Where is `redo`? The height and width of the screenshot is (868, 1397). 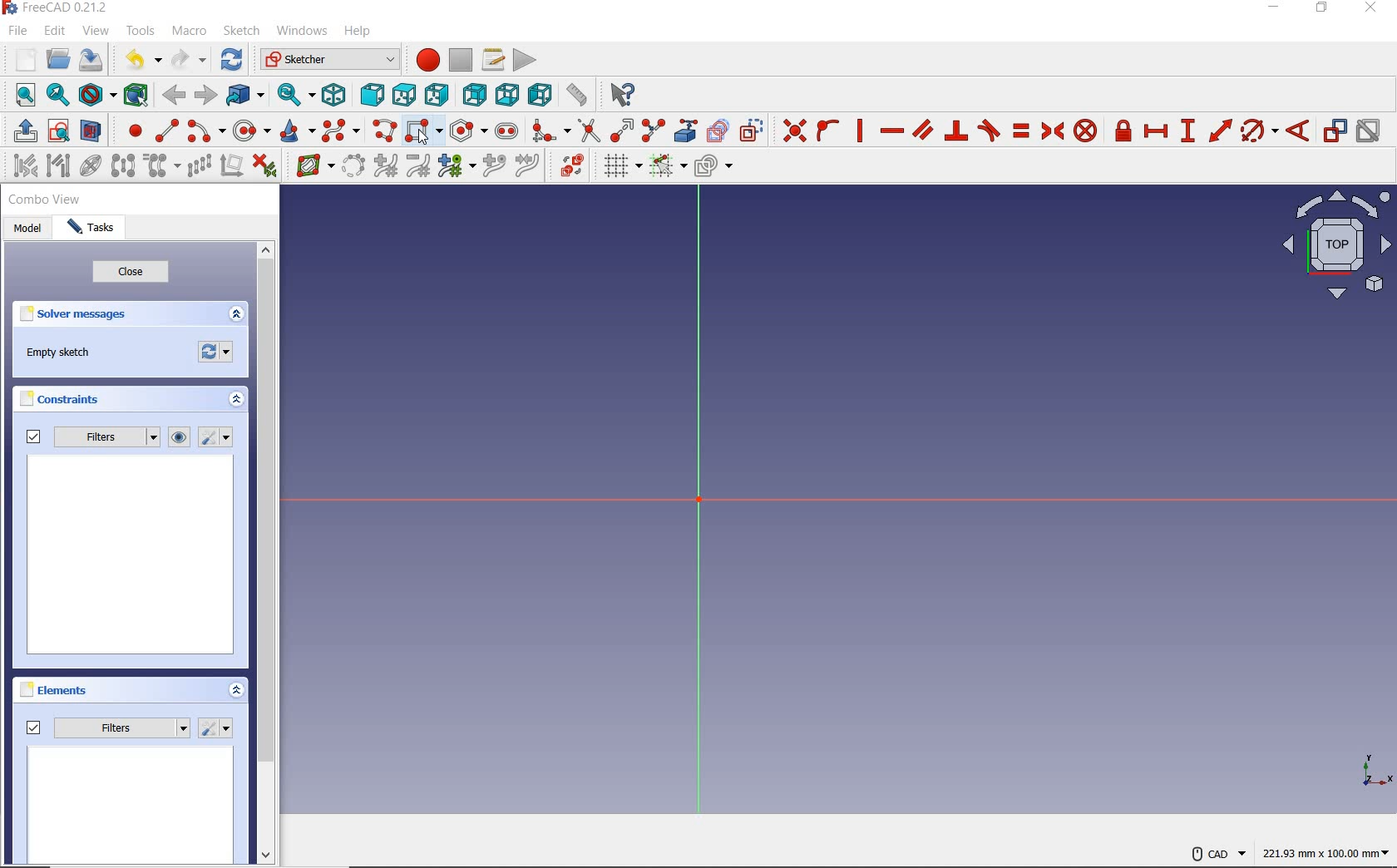 redo is located at coordinates (189, 60).